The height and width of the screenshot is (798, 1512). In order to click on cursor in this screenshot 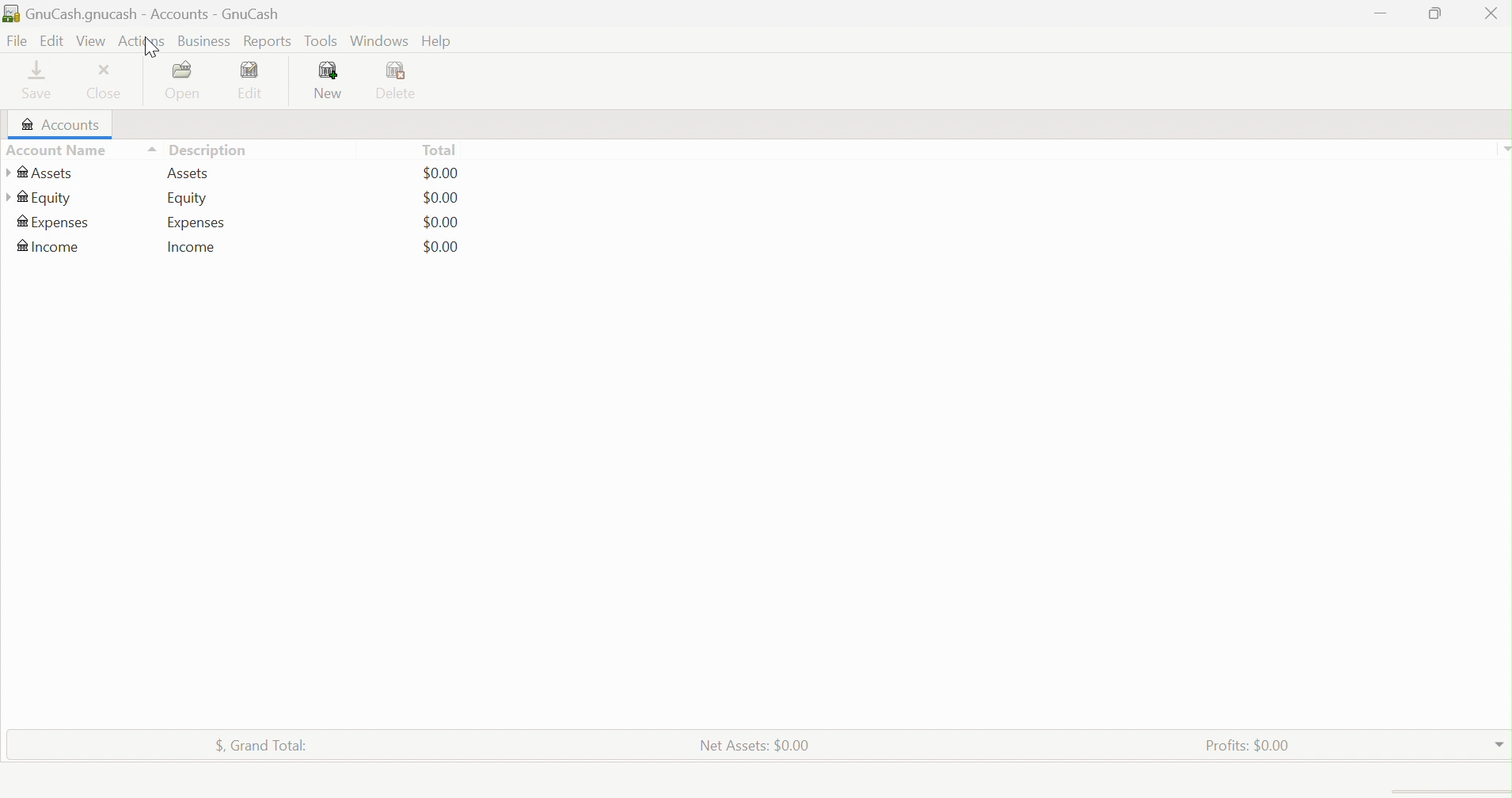, I will do `click(151, 47)`.